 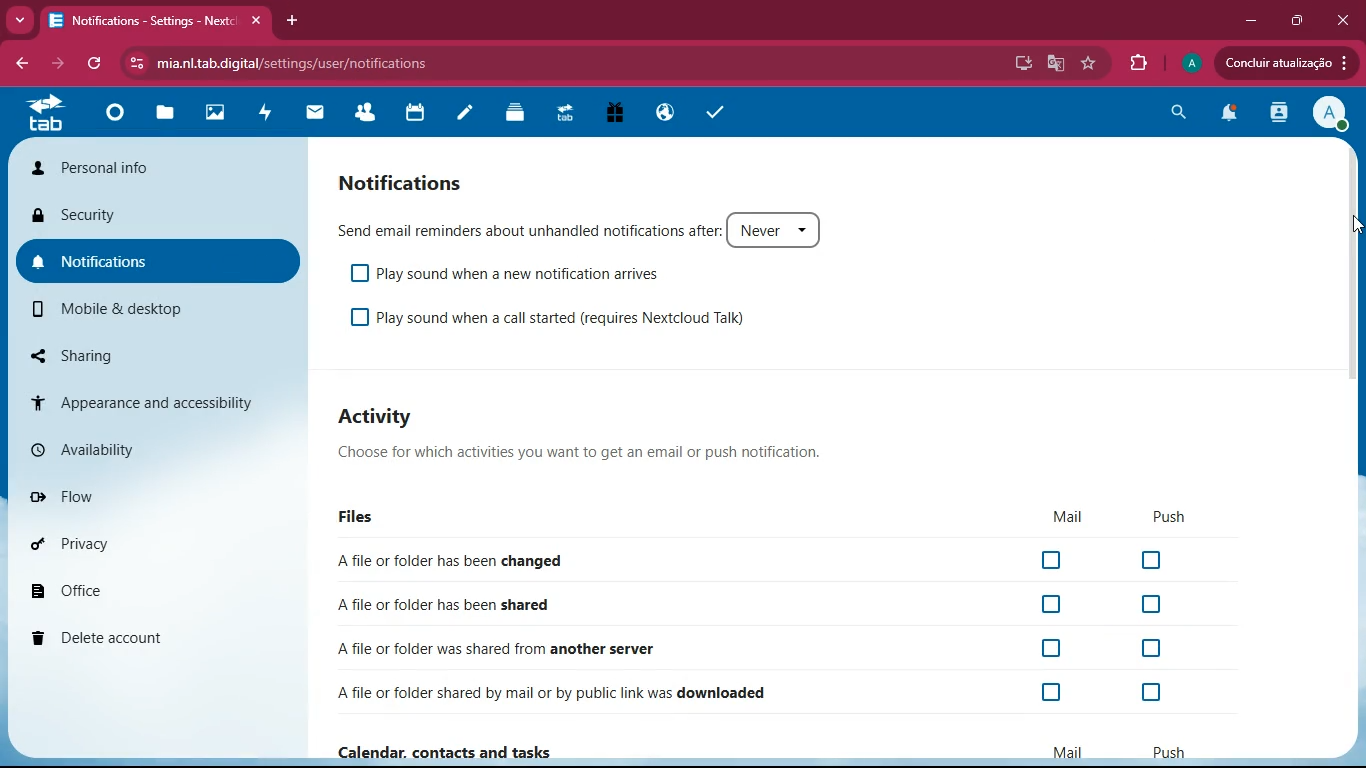 I want to click on tab, so click(x=44, y=114).